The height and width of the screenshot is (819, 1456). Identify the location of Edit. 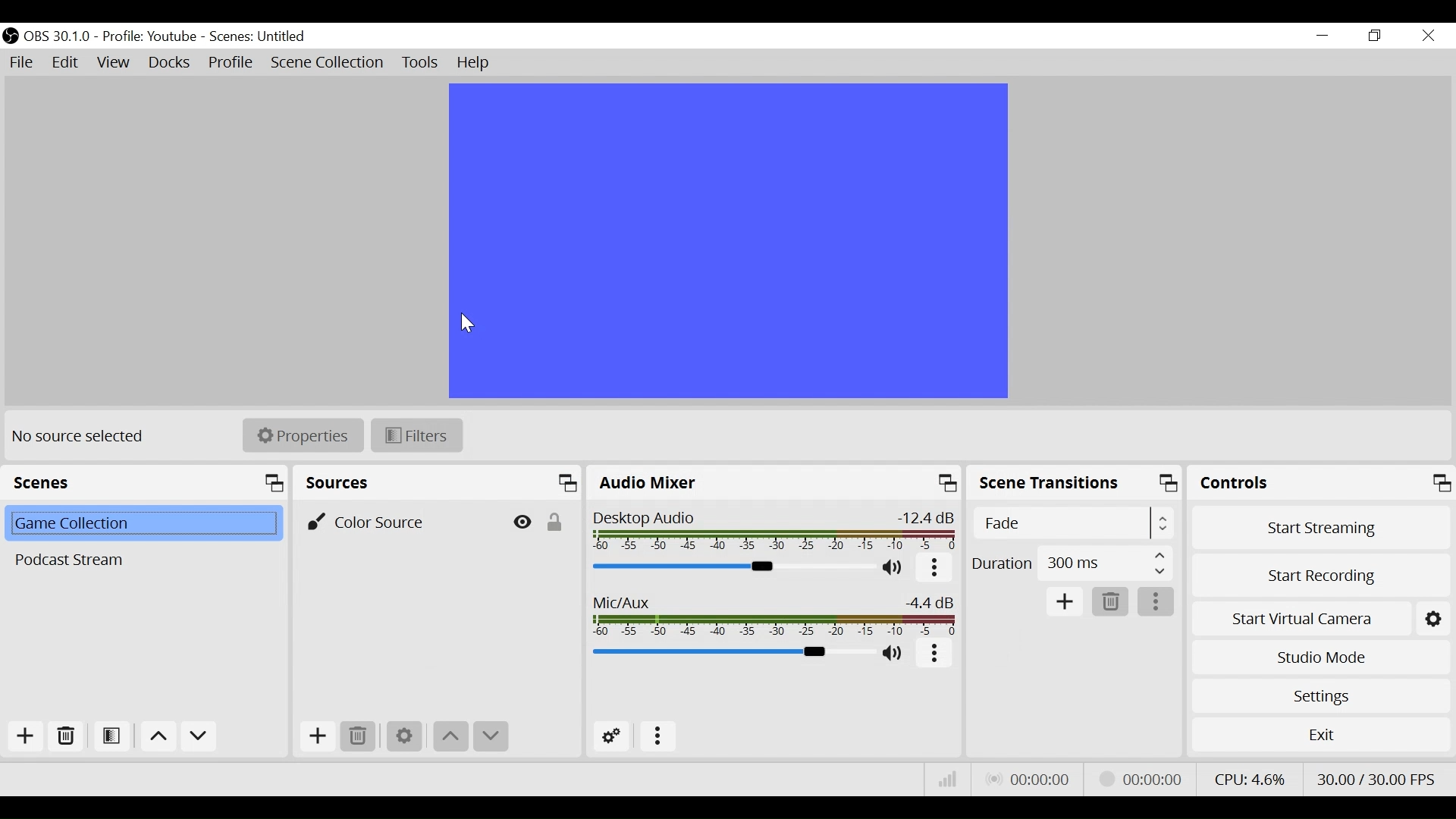
(67, 64).